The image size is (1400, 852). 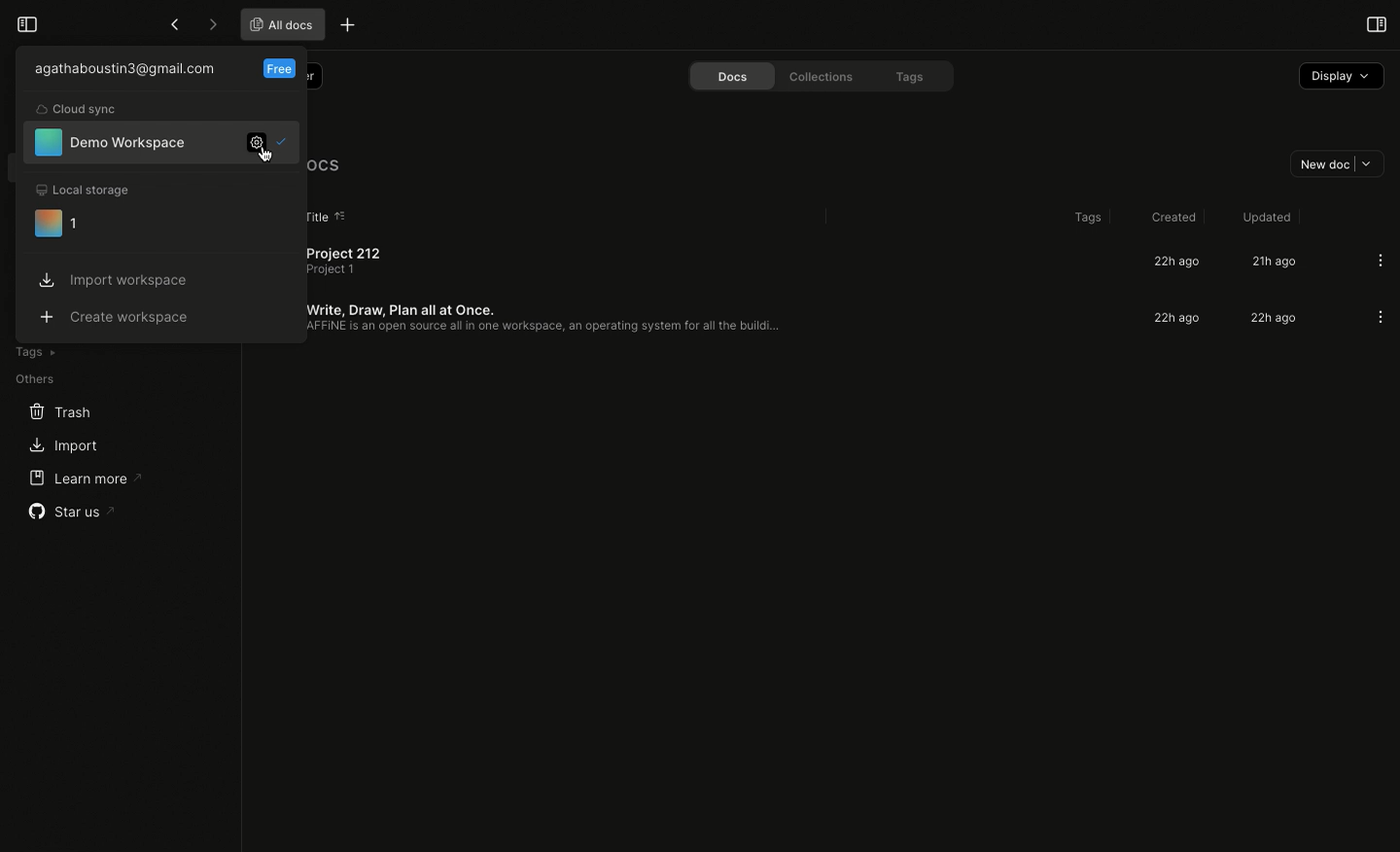 I want to click on Others, so click(x=35, y=379).